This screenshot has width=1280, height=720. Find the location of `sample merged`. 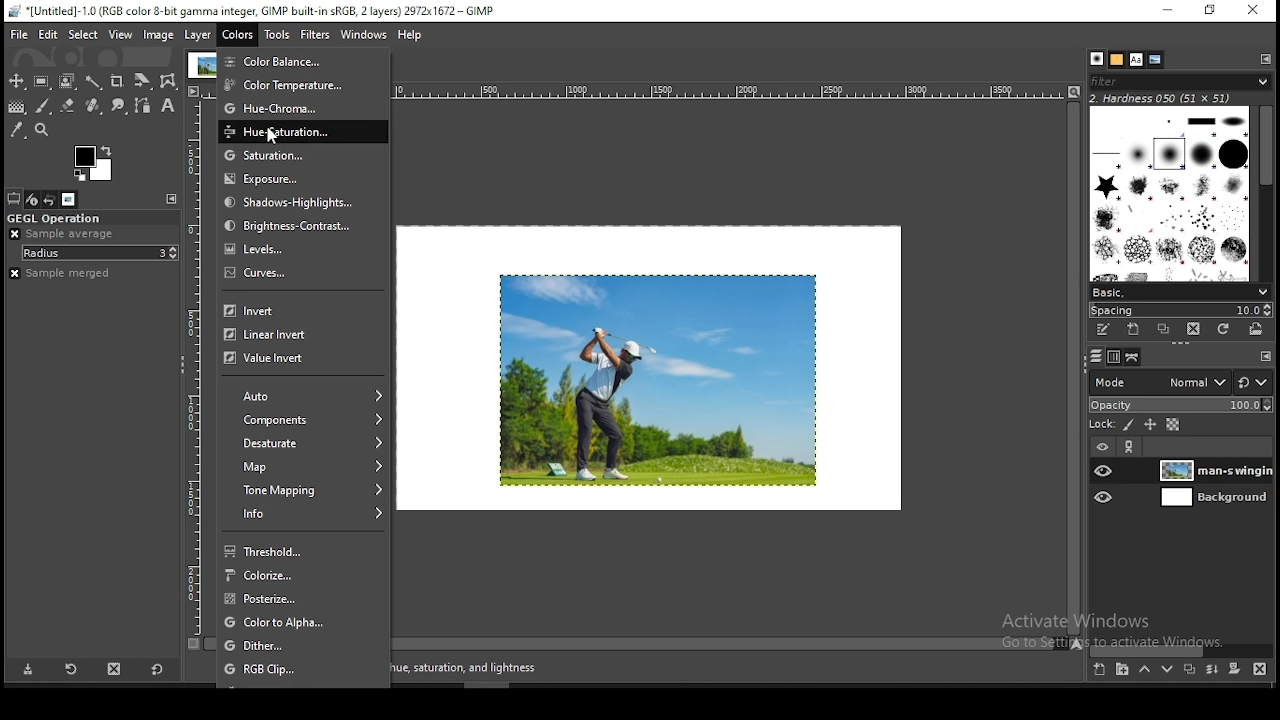

sample merged is located at coordinates (63, 273).